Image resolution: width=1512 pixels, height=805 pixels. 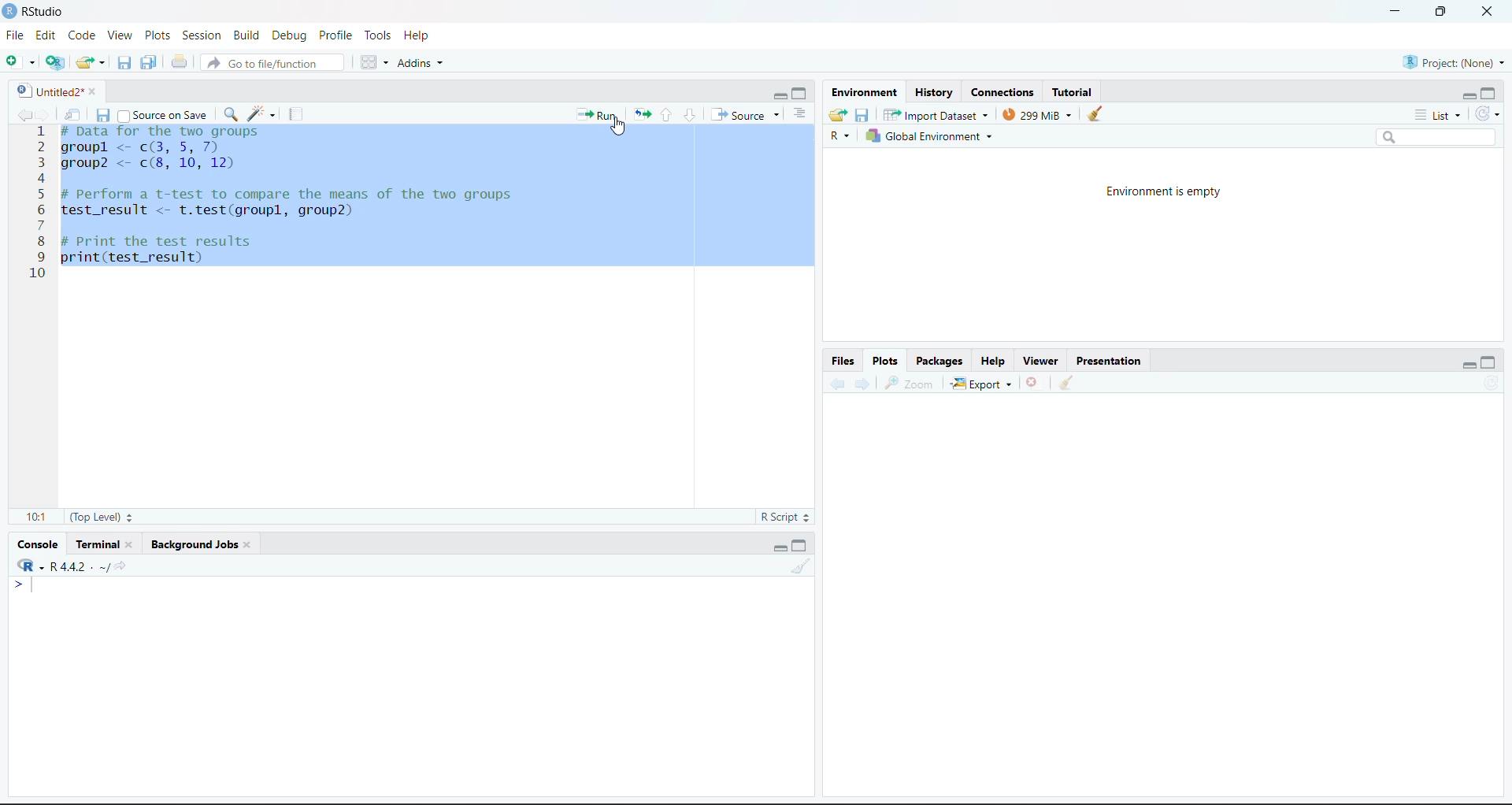 I want to click on Environment is empty, so click(x=1163, y=193).